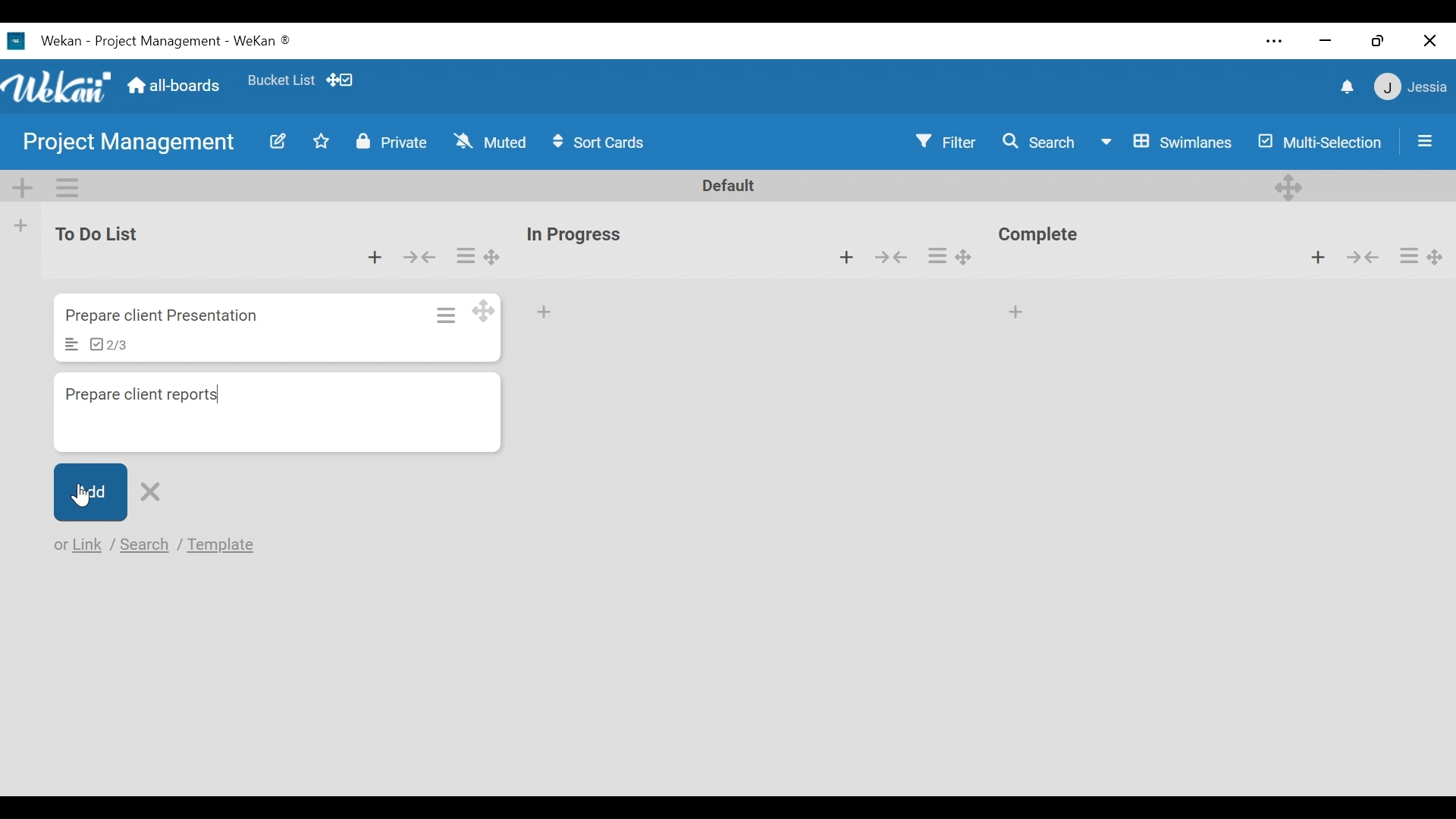  Describe the element at coordinates (322, 144) in the screenshot. I see `Toggle favorites` at that location.